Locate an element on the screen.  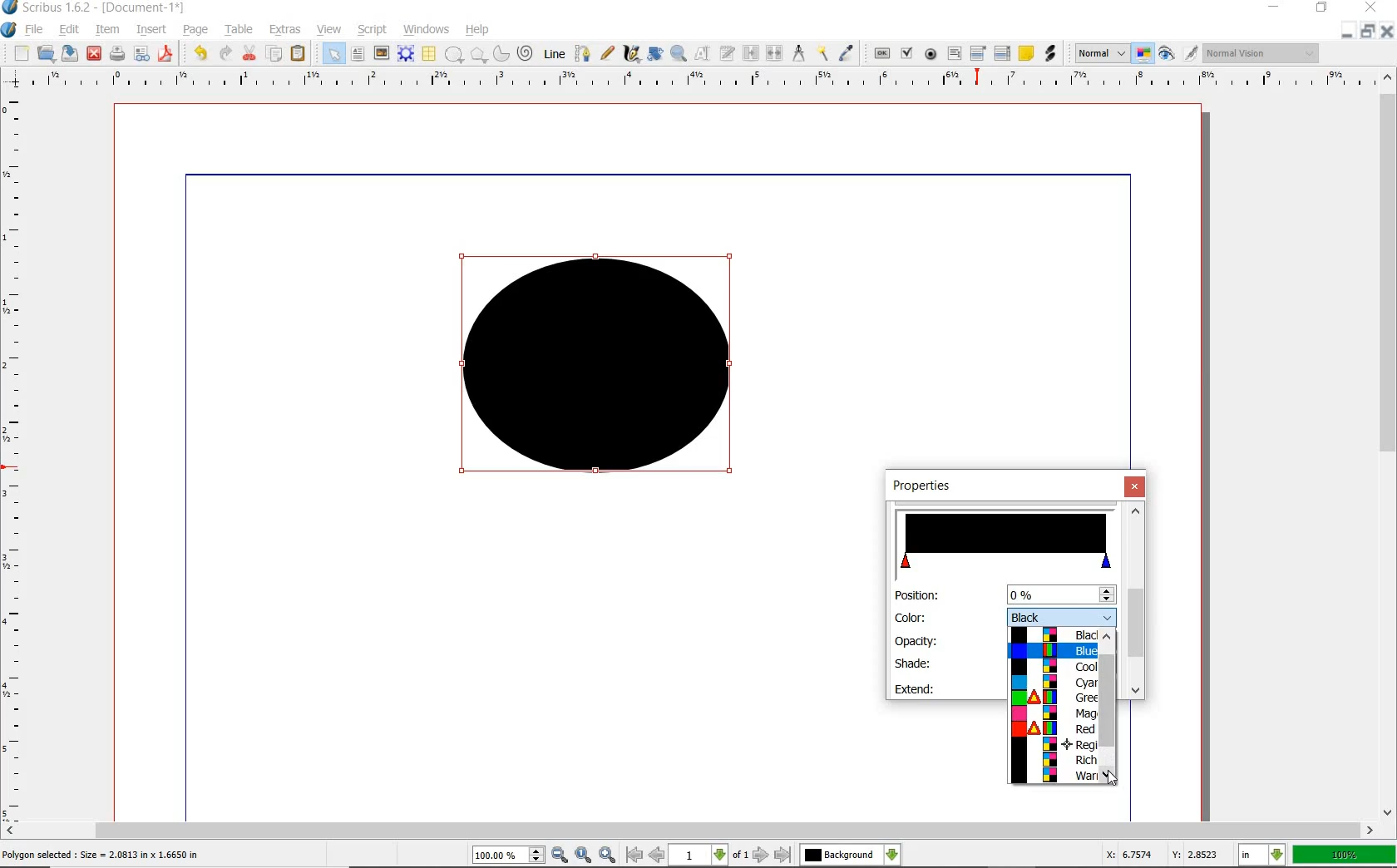
PAGE is located at coordinates (193, 31).